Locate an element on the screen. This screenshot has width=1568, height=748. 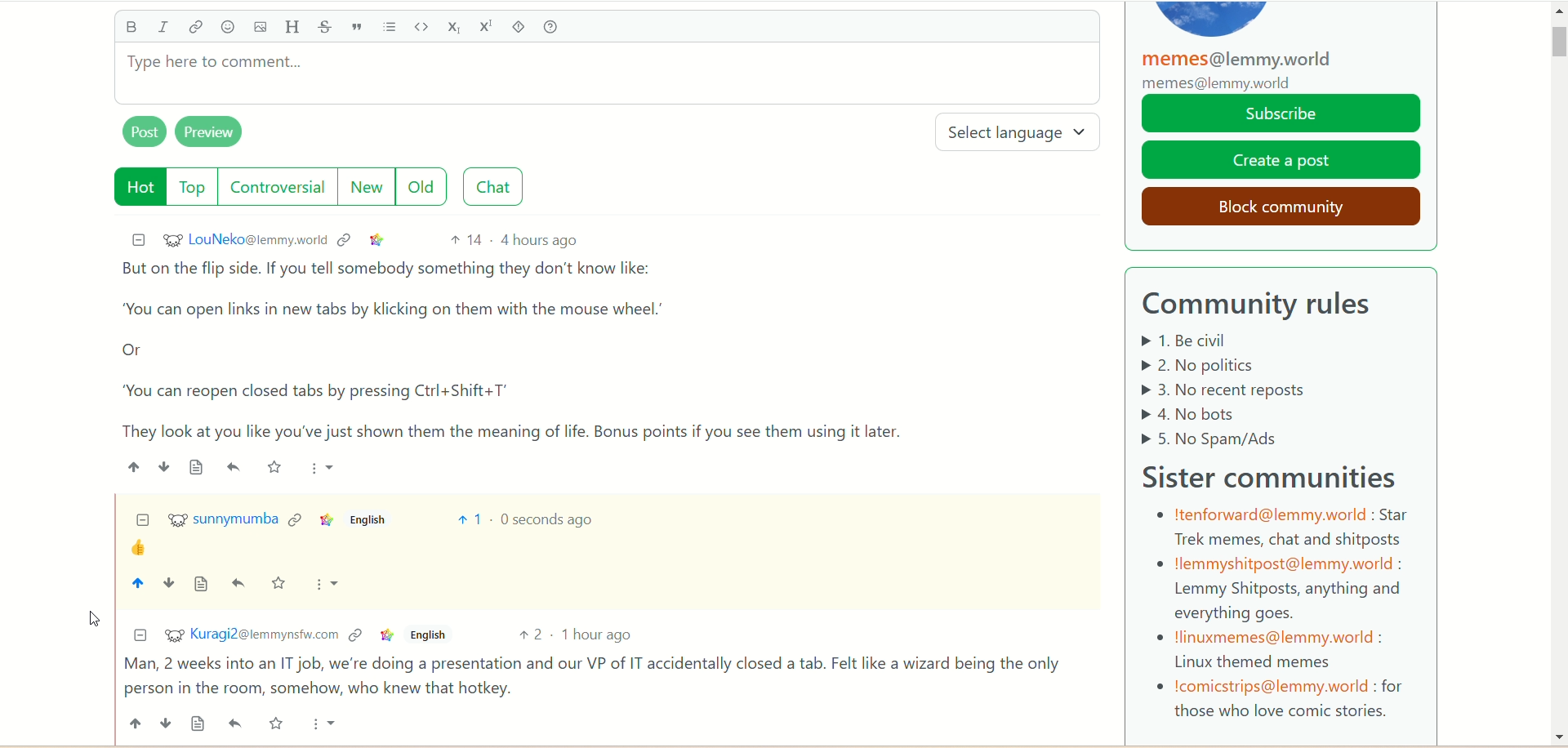
context is located at coordinates (356, 636).